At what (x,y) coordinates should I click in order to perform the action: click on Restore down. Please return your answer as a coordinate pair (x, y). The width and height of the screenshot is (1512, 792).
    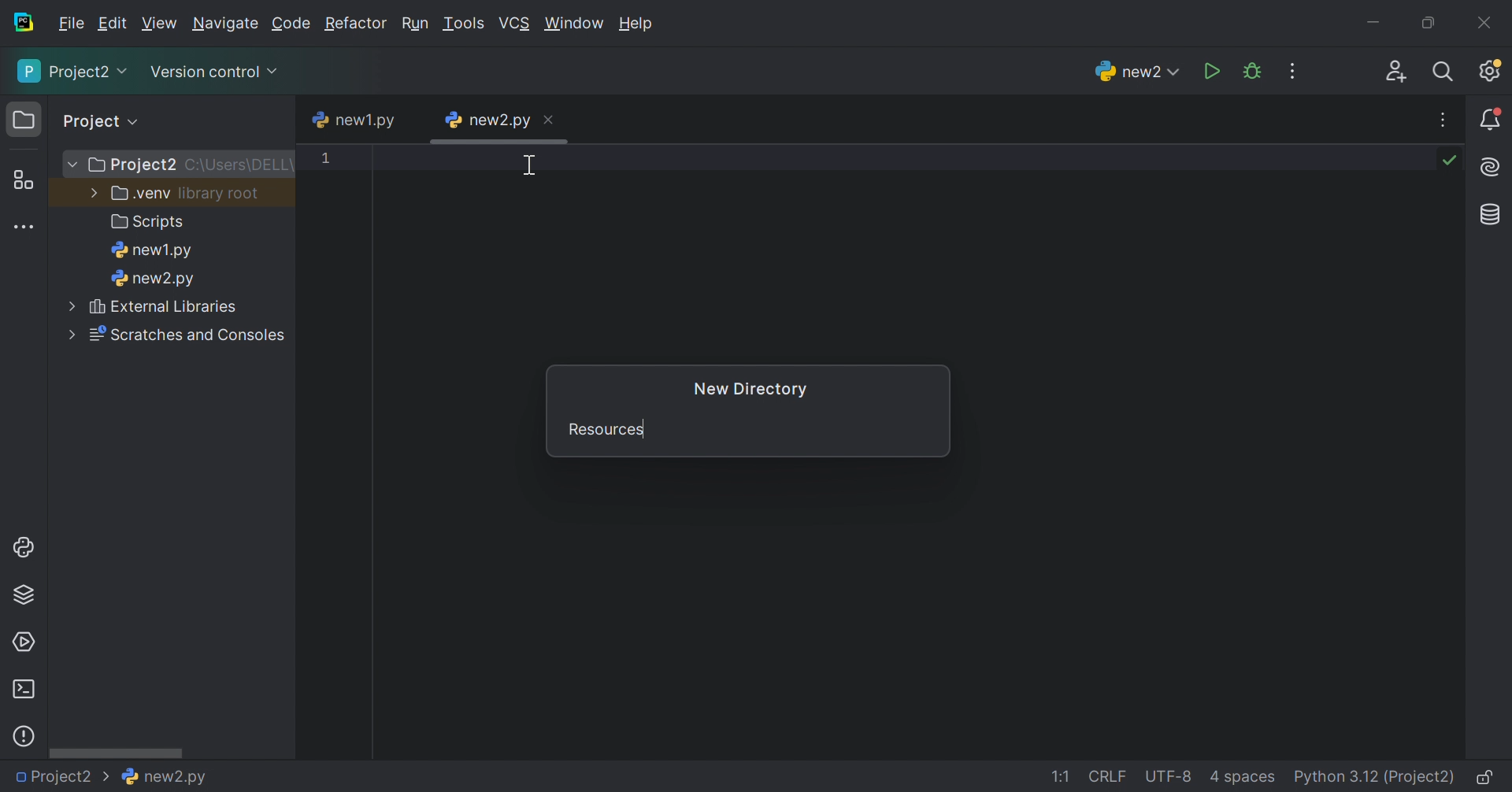
    Looking at the image, I should click on (1430, 22).